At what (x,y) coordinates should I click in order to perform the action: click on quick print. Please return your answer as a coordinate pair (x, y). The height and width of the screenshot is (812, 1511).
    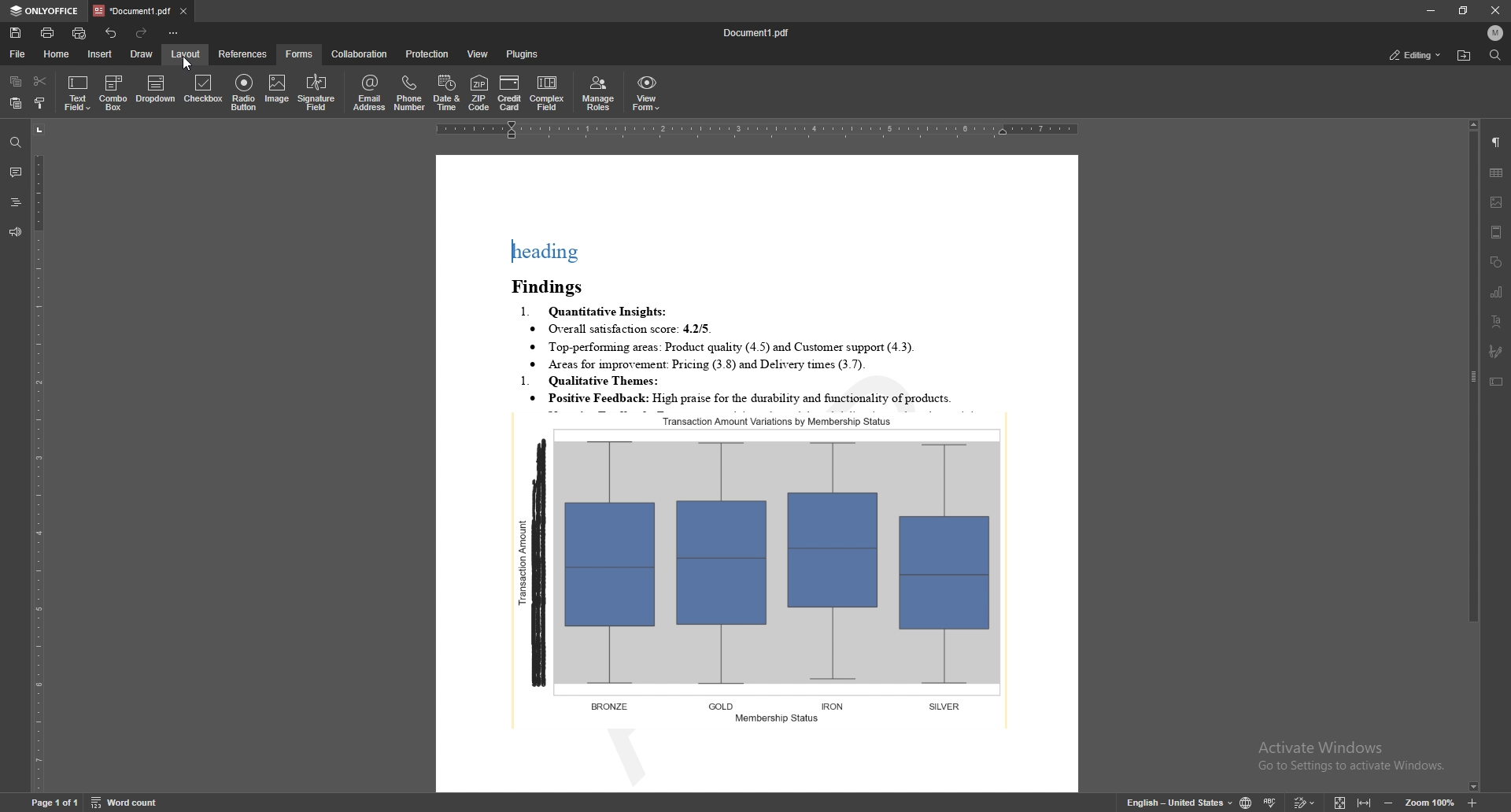
    Looking at the image, I should click on (79, 33).